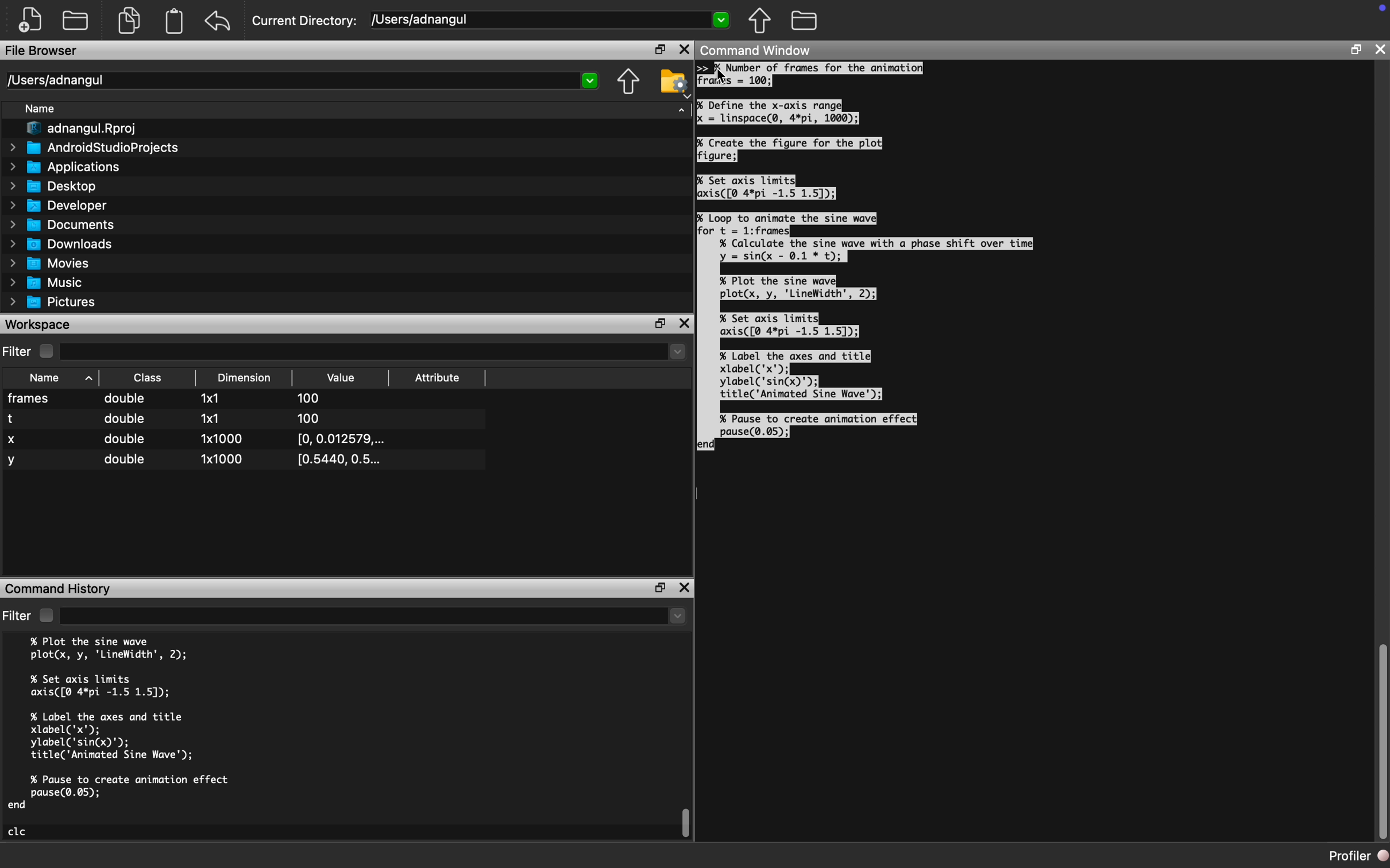 The height and width of the screenshot is (868, 1390). I want to click on scroll, so click(687, 822).